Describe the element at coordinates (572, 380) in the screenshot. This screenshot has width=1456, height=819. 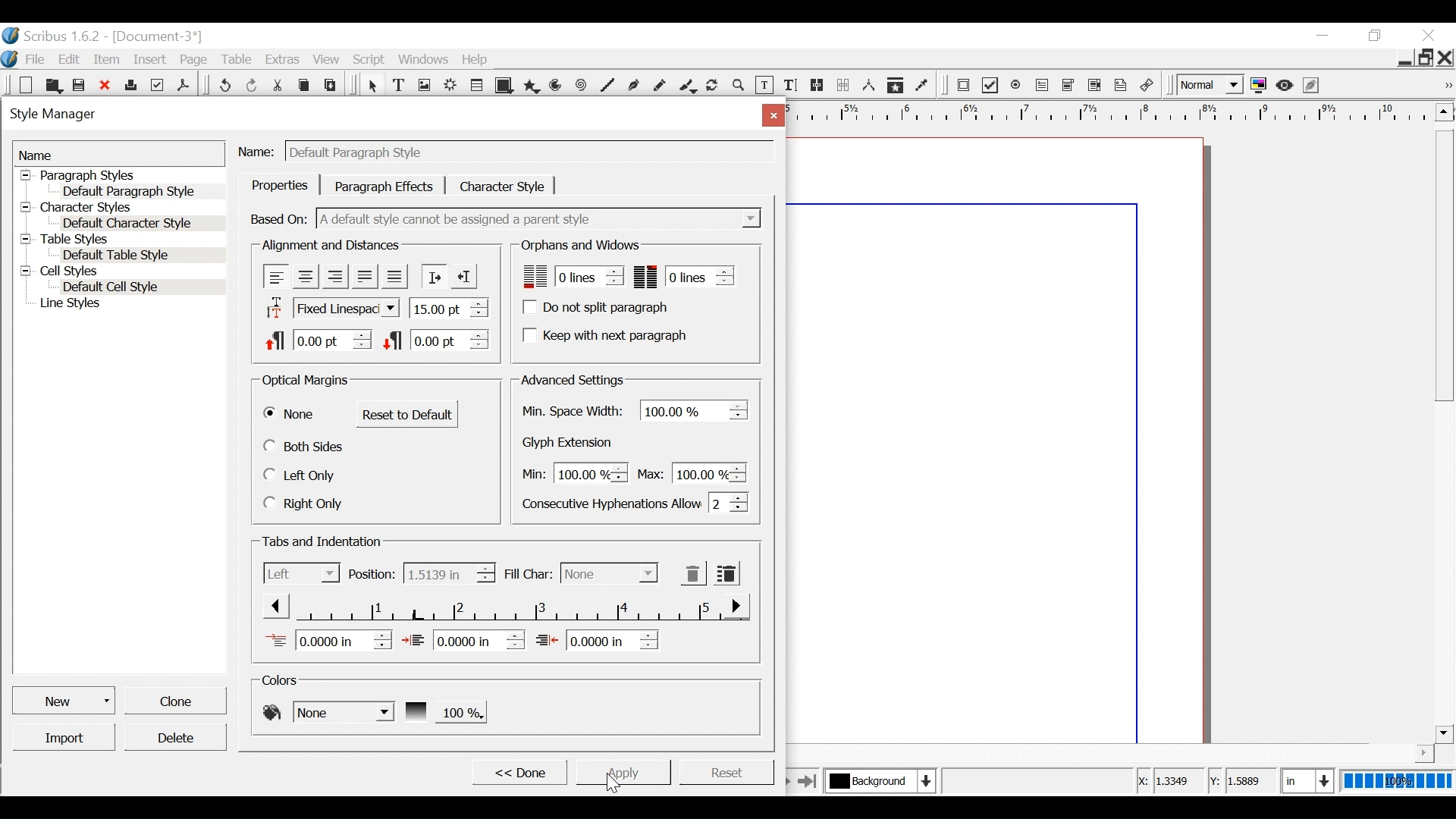
I see `Advanced Setting` at that location.